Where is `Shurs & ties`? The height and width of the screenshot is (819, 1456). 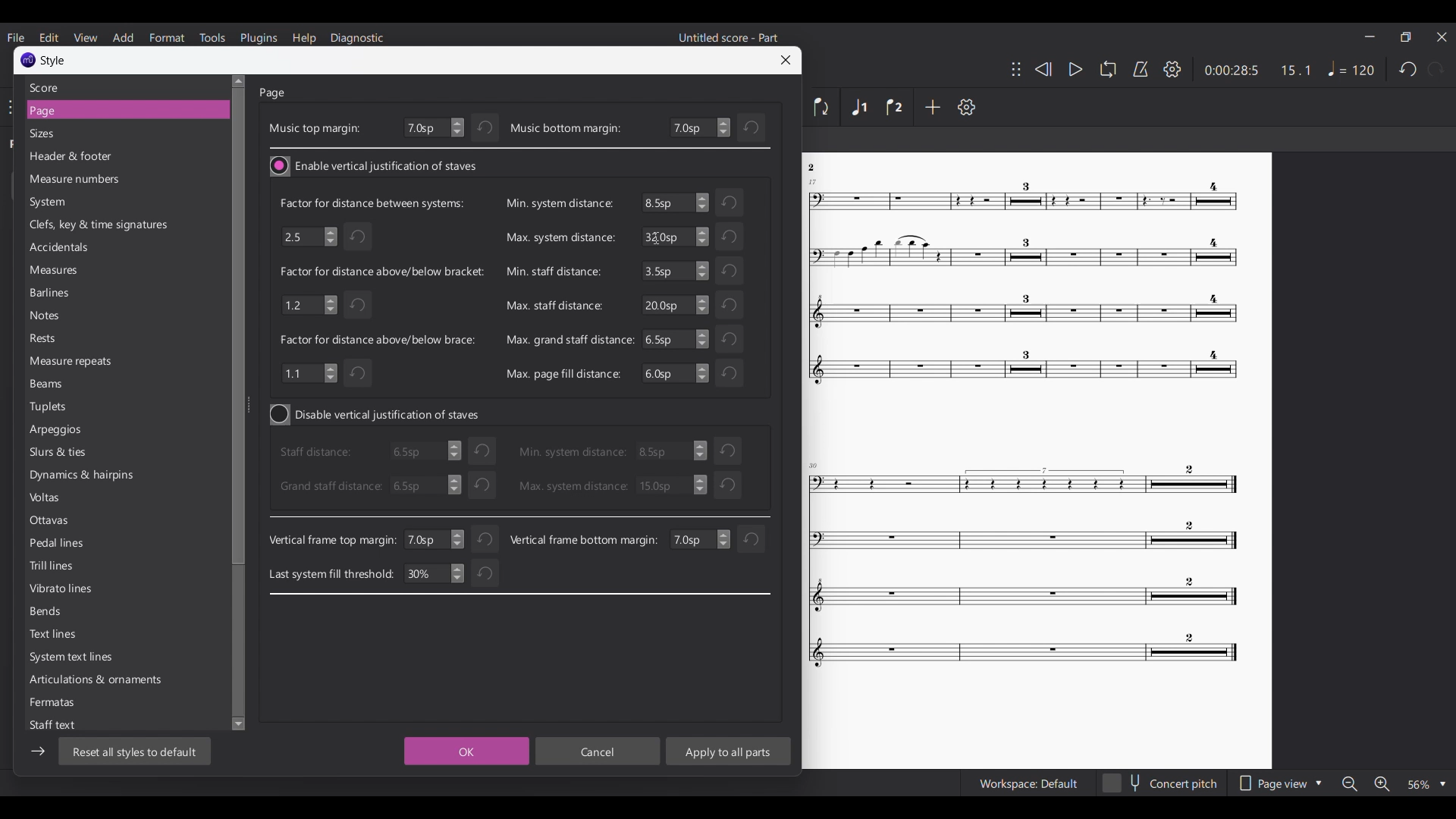
Shurs & ties is located at coordinates (68, 453).